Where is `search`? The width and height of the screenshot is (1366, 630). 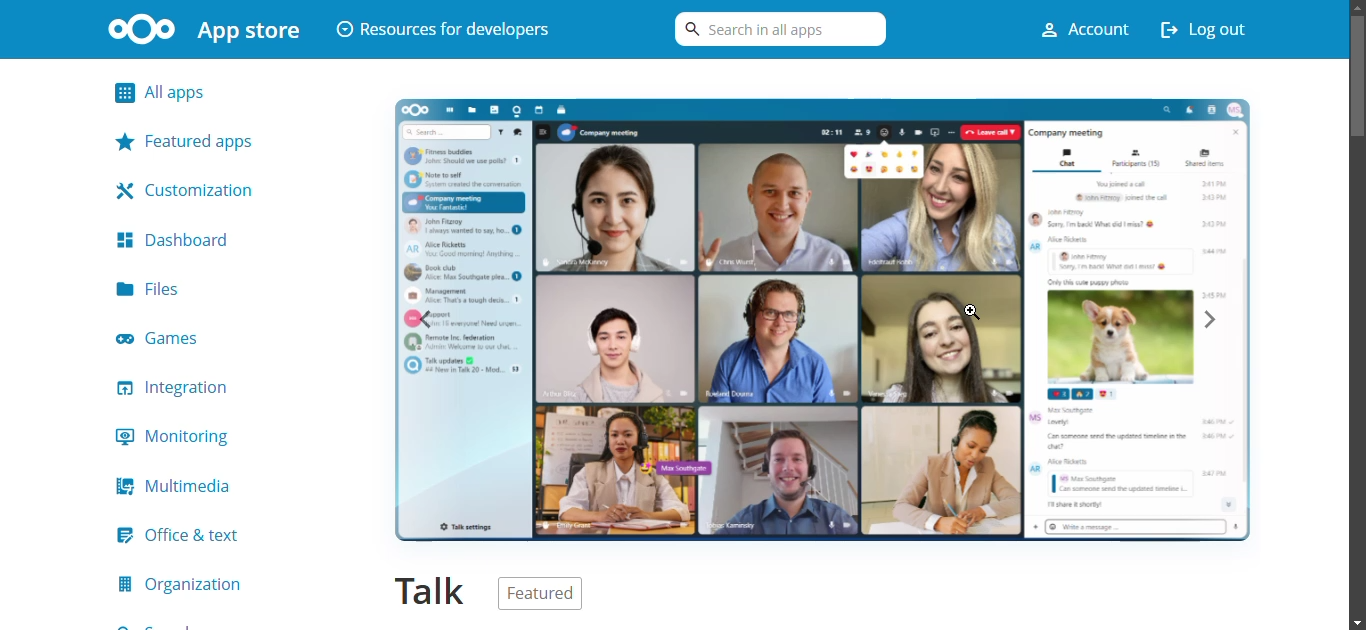
search is located at coordinates (775, 35).